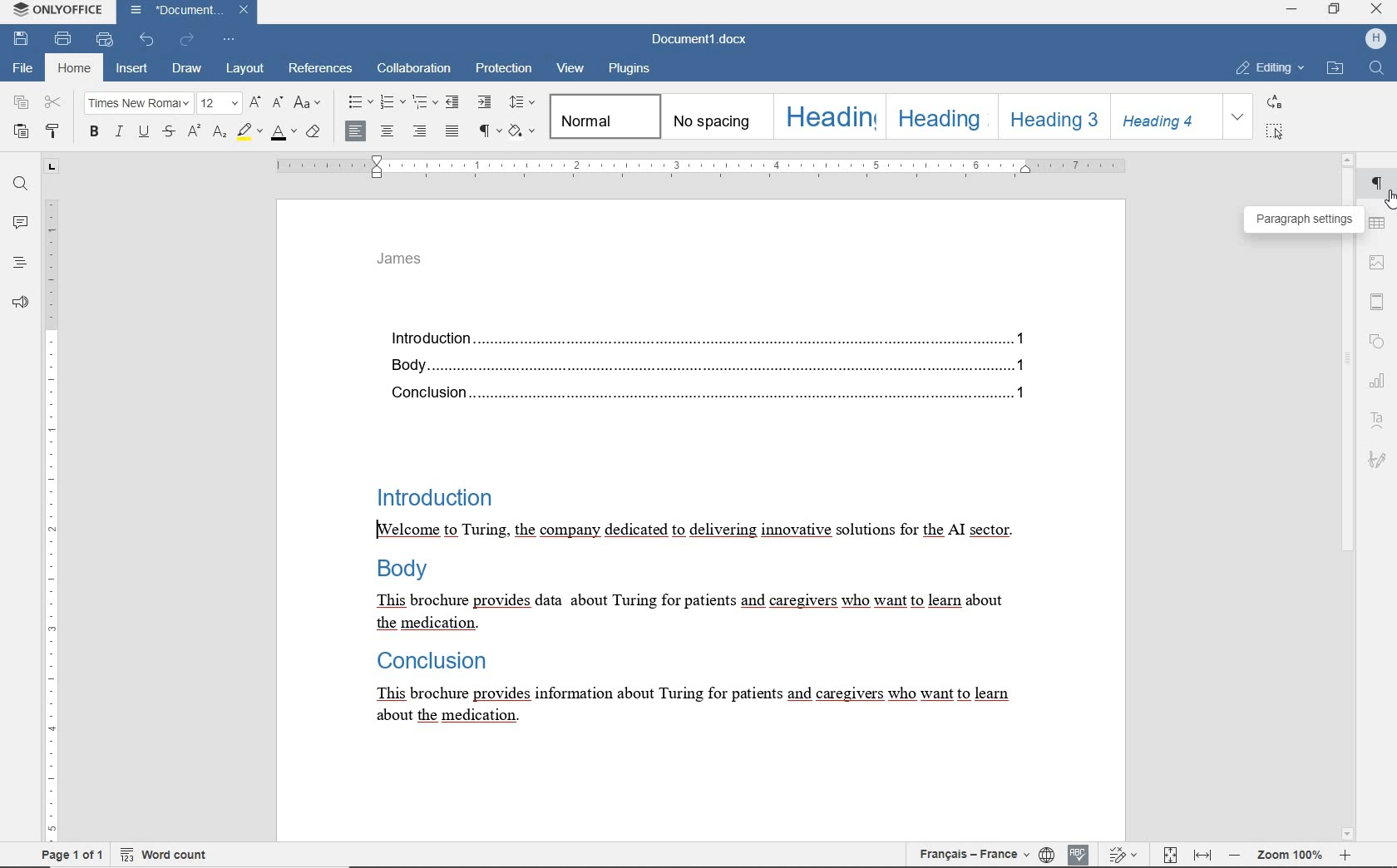 This screenshot has height=868, width=1397. What do you see at coordinates (230, 40) in the screenshot?
I see `customize quick access toolbar` at bounding box center [230, 40].